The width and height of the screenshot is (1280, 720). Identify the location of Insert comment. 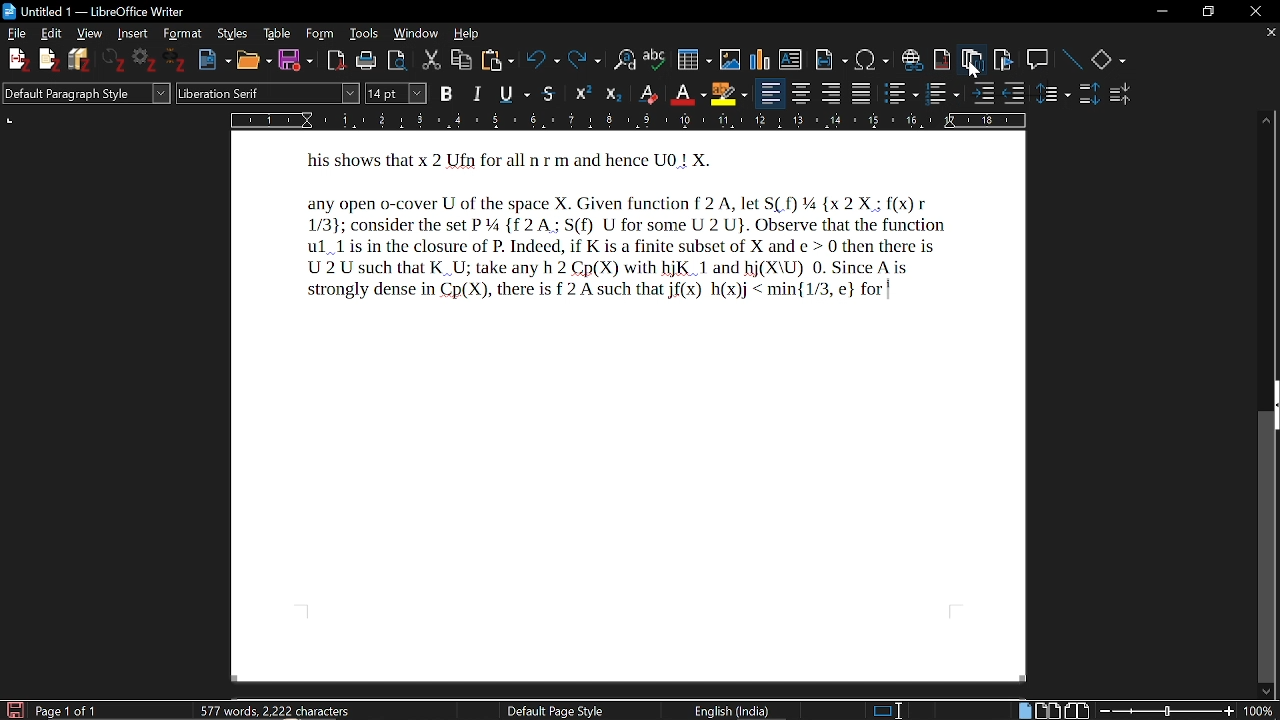
(1039, 60).